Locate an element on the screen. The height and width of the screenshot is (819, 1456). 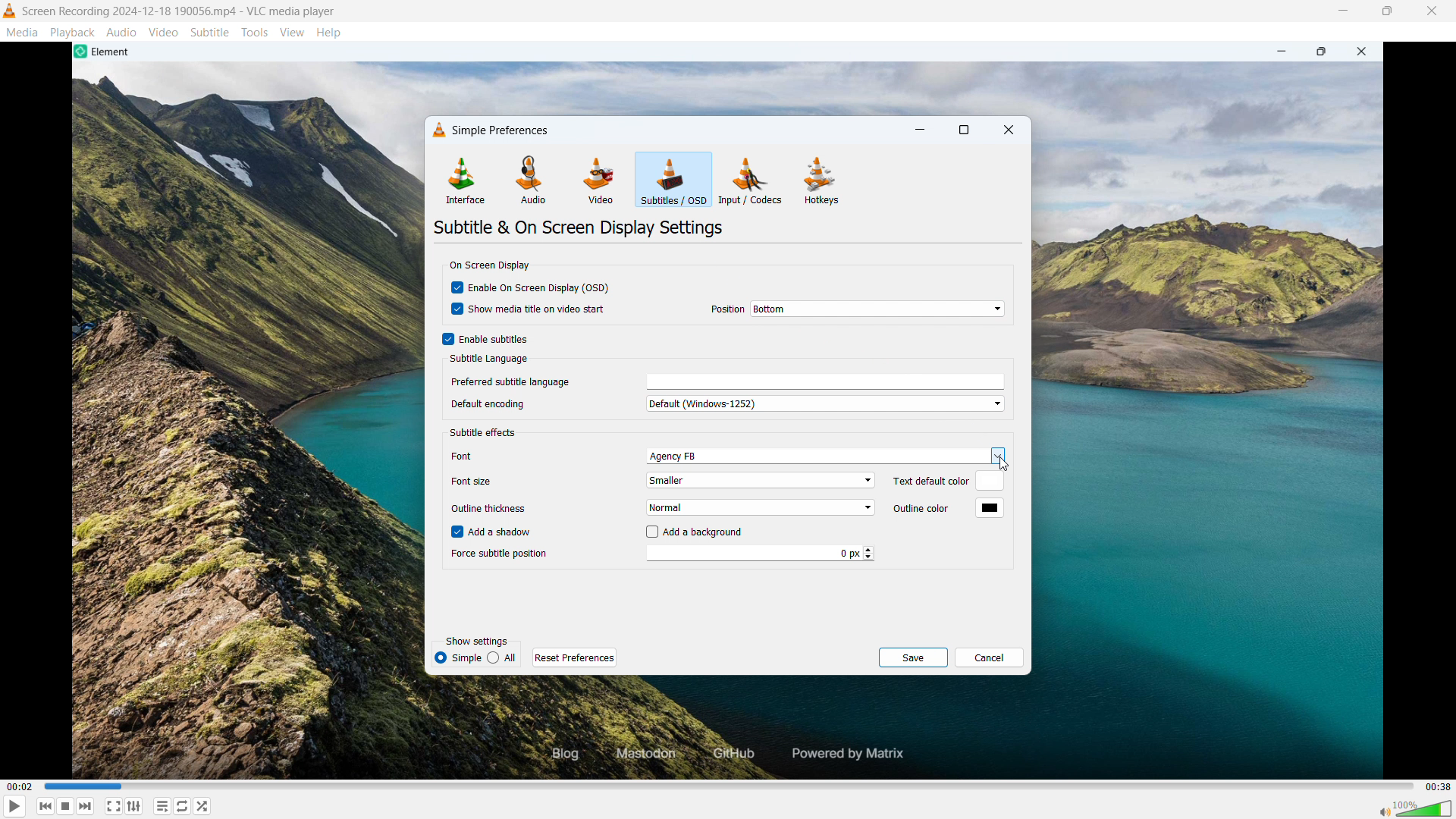
set font size is located at coordinates (760, 480).